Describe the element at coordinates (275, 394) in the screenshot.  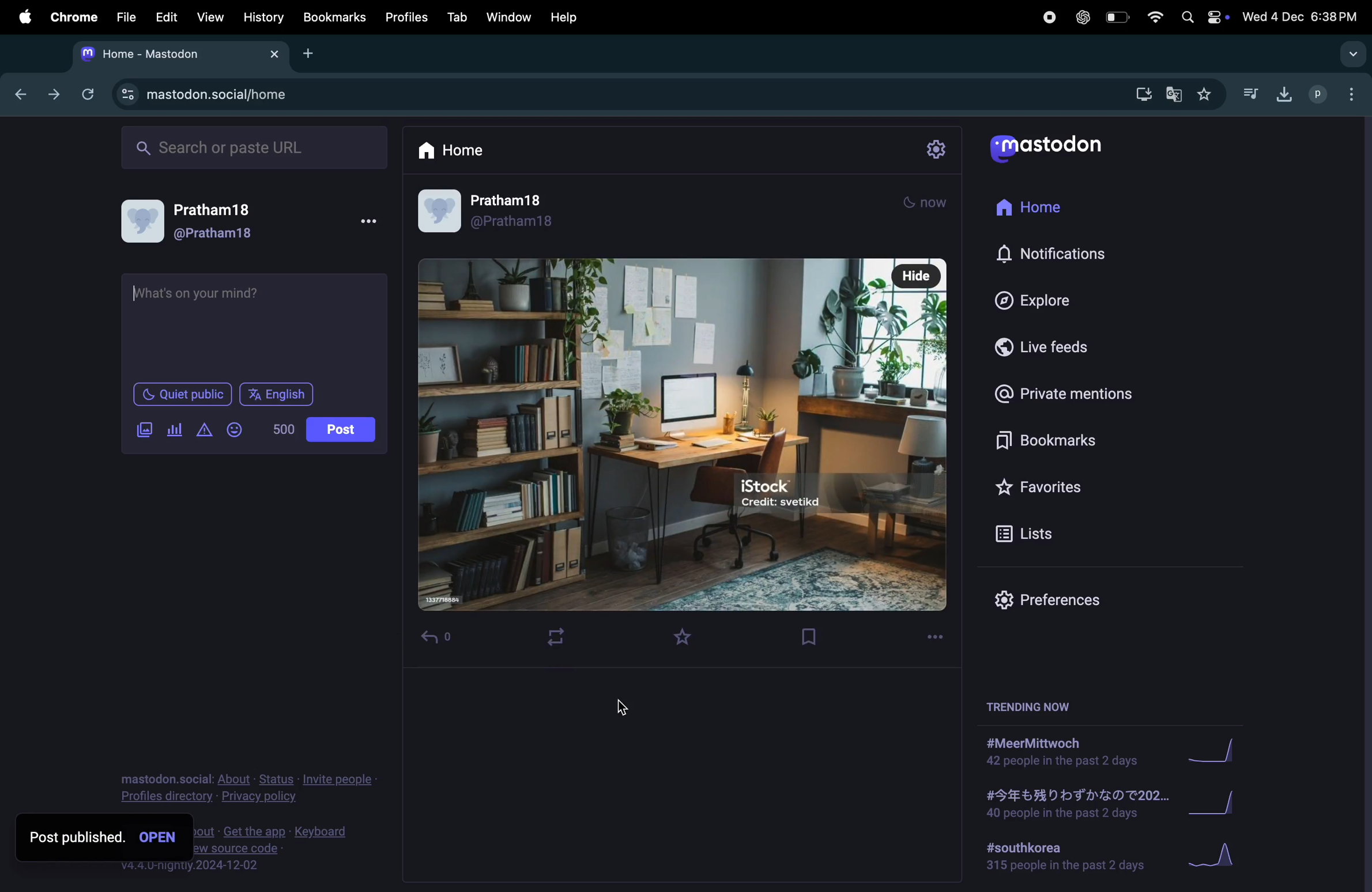
I see `English` at that location.